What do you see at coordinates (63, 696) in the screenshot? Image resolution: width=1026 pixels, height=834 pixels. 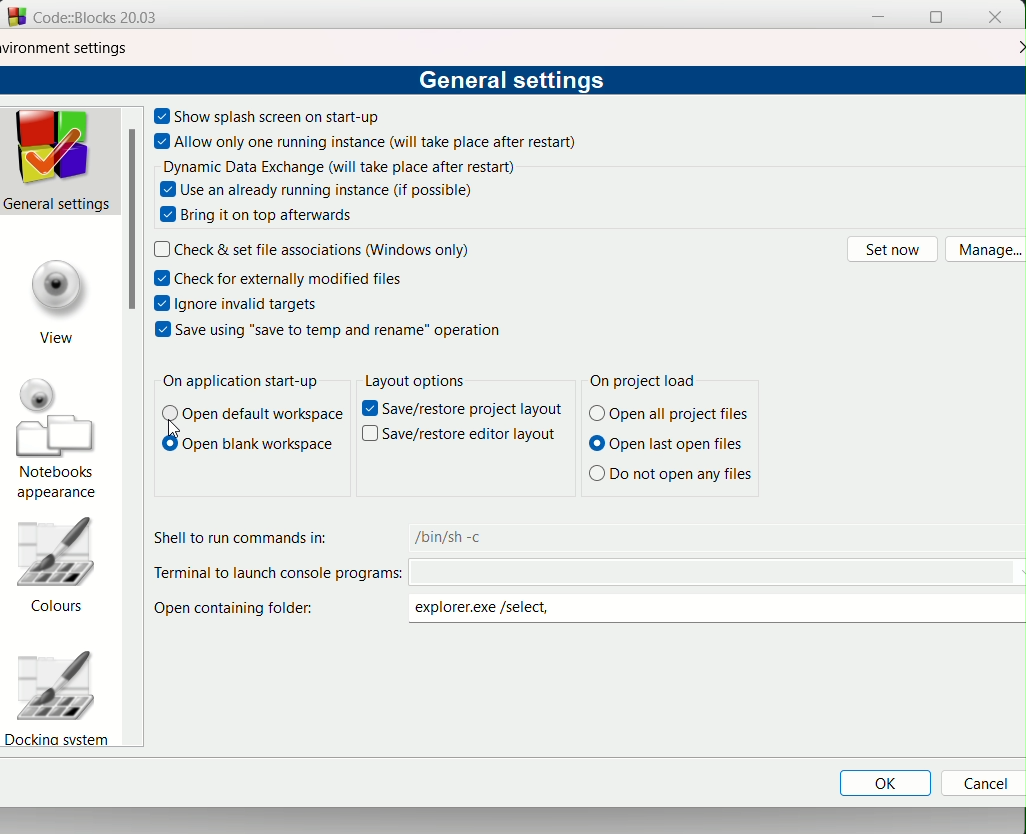 I see `Docking system` at bounding box center [63, 696].